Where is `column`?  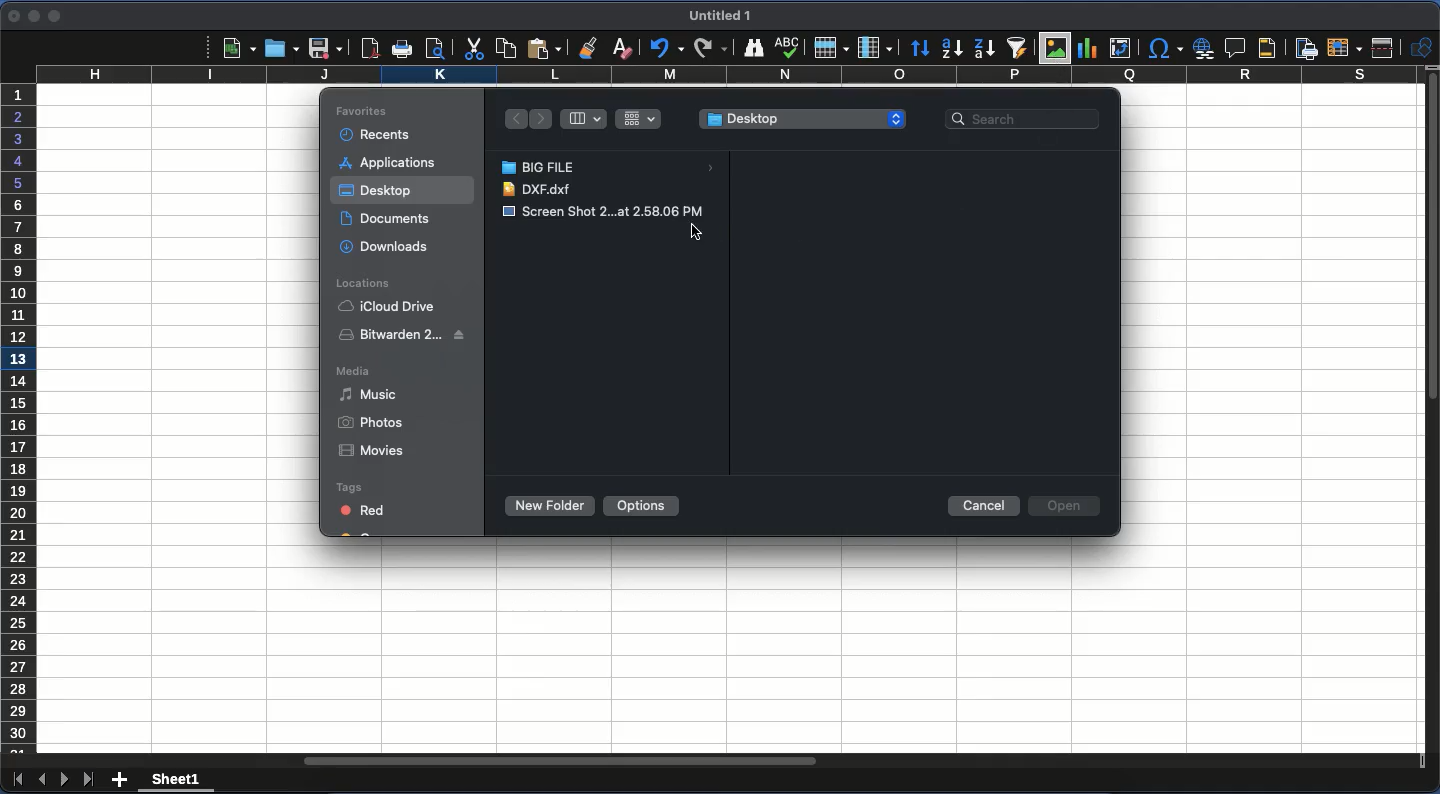 column is located at coordinates (725, 76).